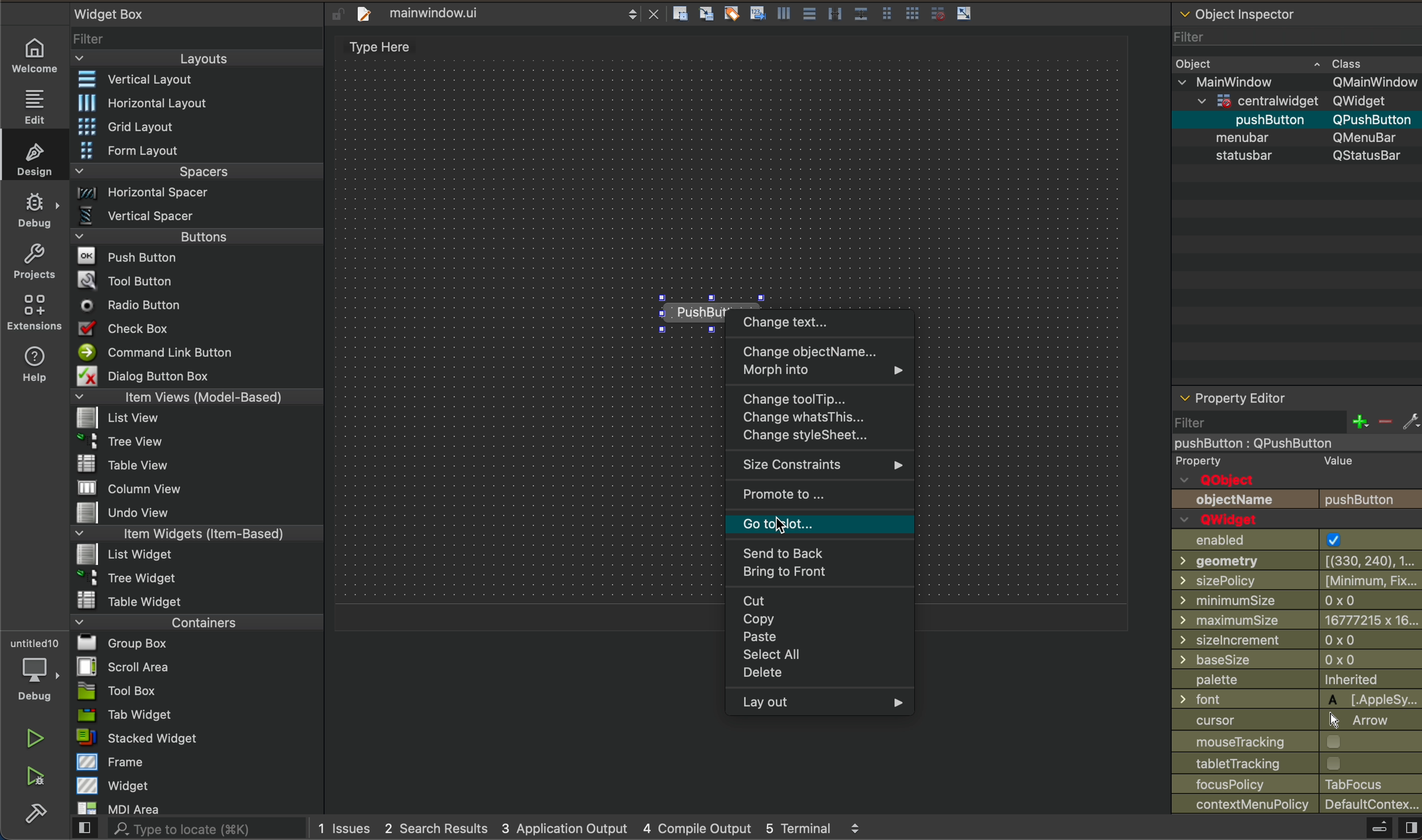  Describe the element at coordinates (1297, 742) in the screenshot. I see `mouse` at that location.